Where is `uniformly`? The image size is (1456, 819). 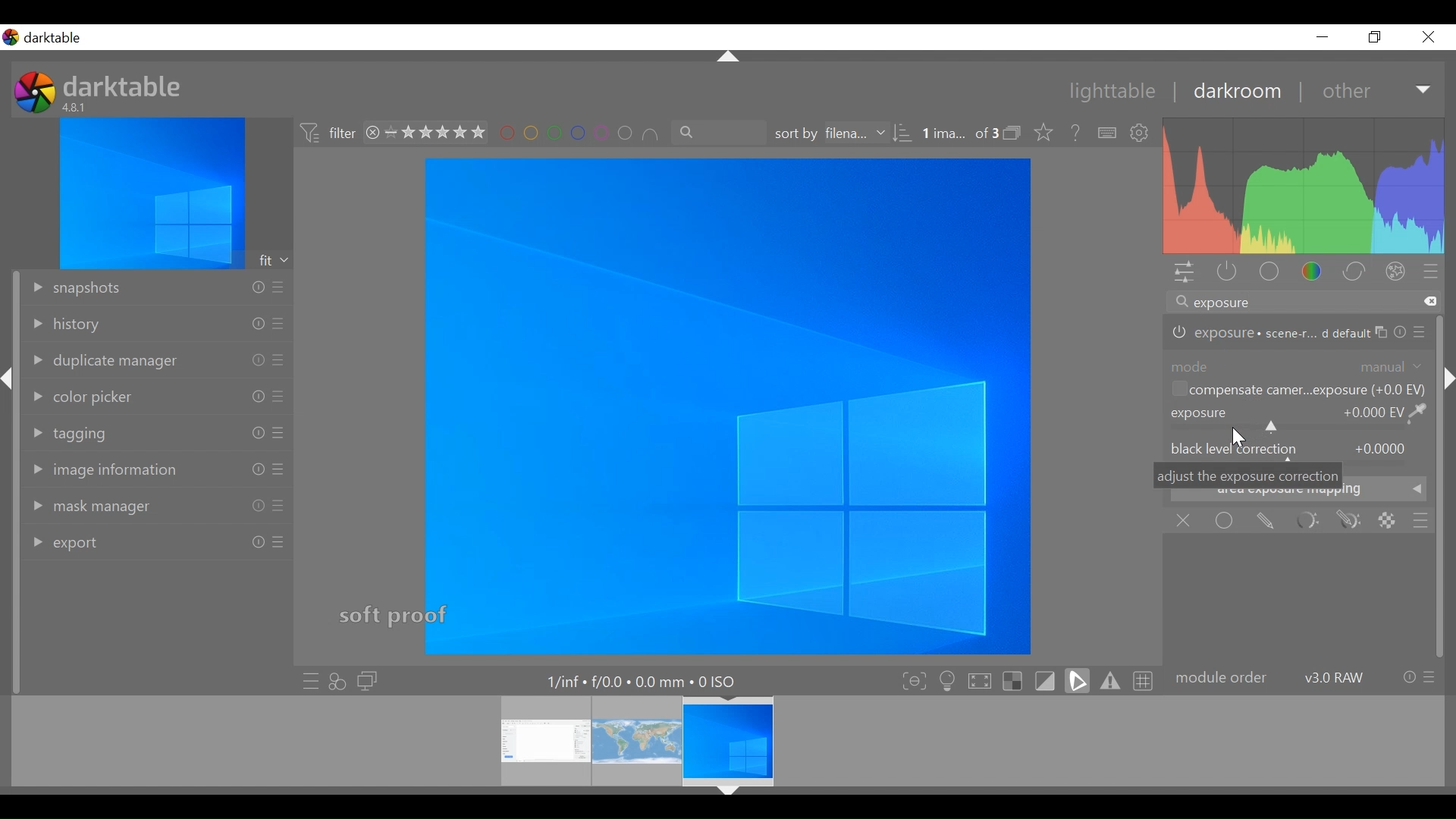
uniformly is located at coordinates (1227, 521).